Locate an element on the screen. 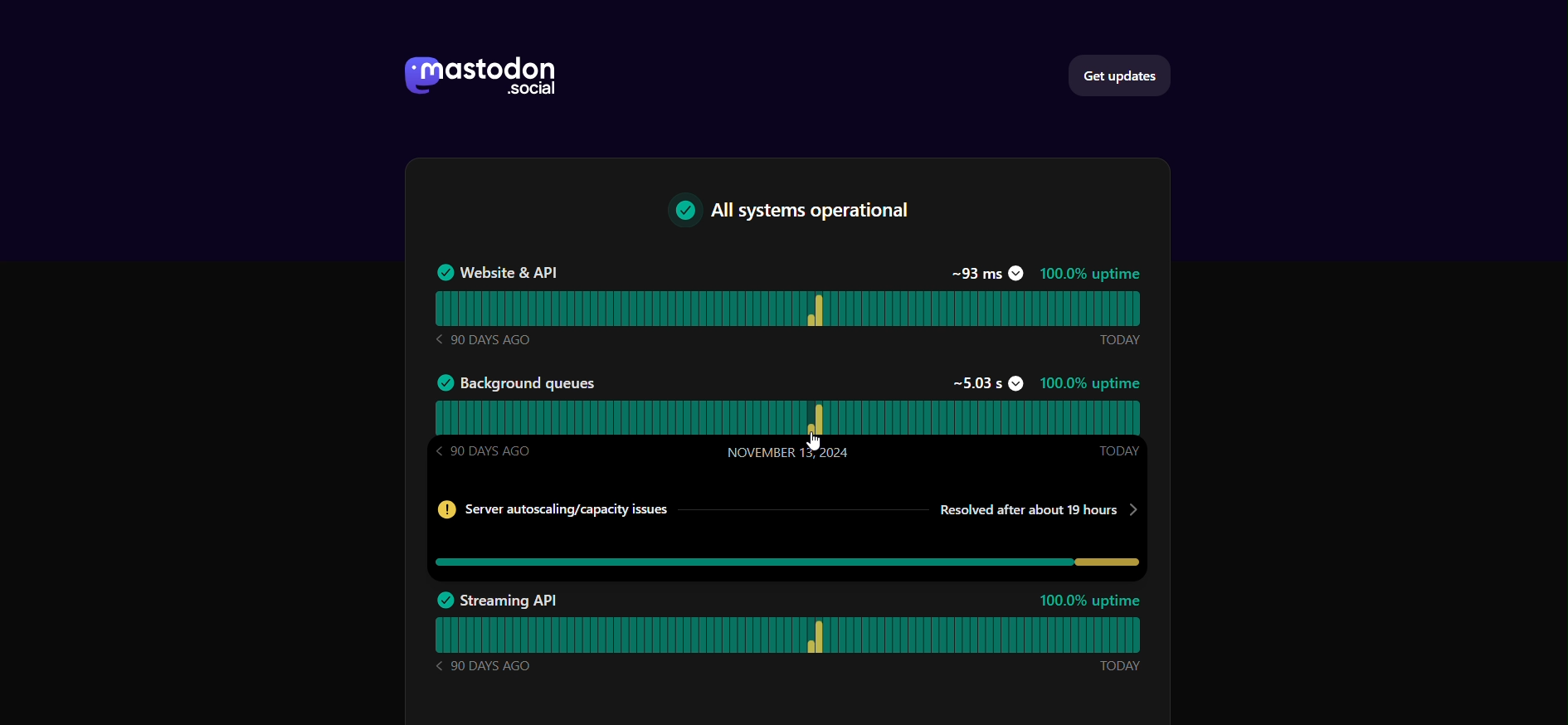 Image resolution: width=1568 pixels, height=725 pixels. mastodon social is located at coordinates (490, 73).